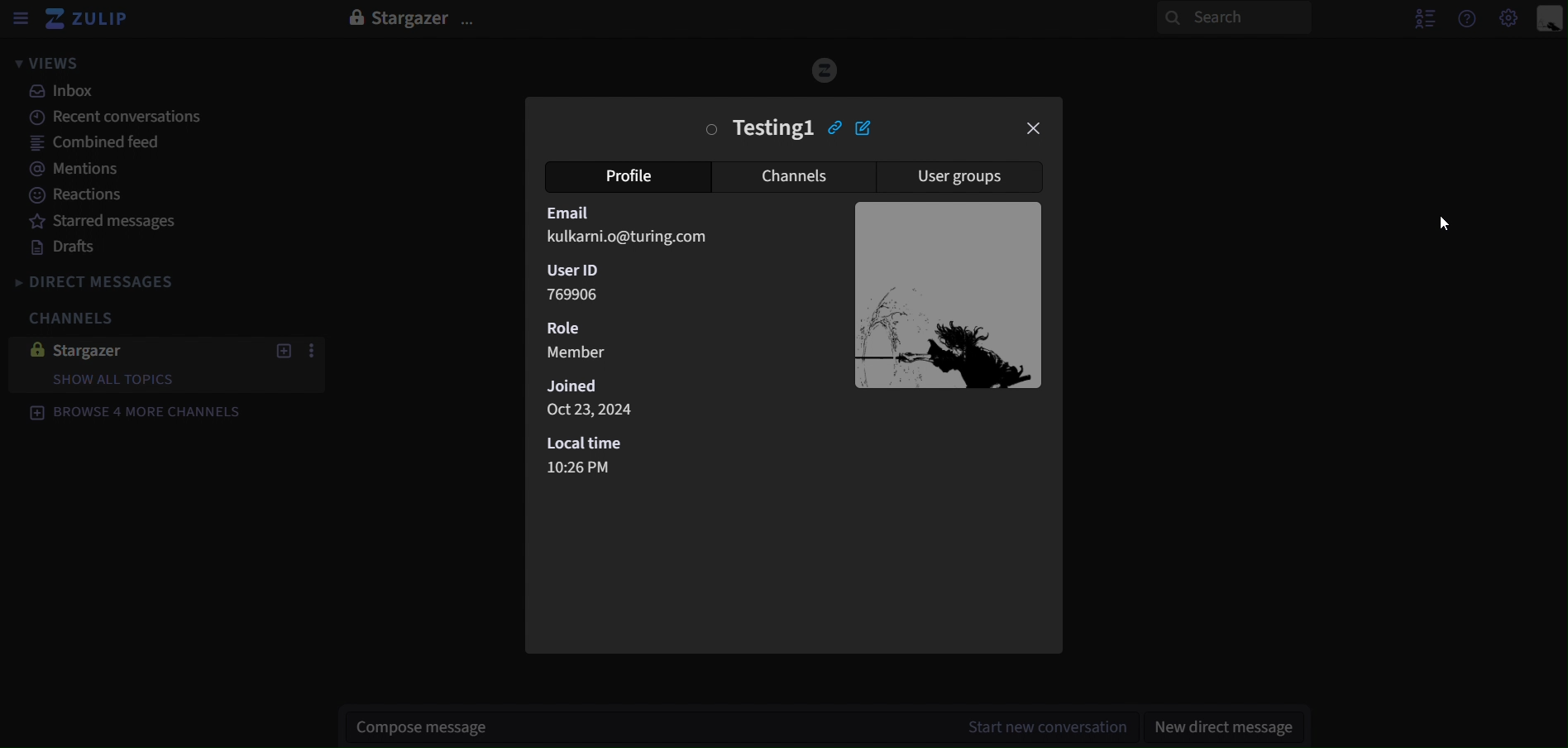 This screenshot has height=748, width=1568. Describe the element at coordinates (1036, 724) in the screenshot. I see `start new conversations` at that location.